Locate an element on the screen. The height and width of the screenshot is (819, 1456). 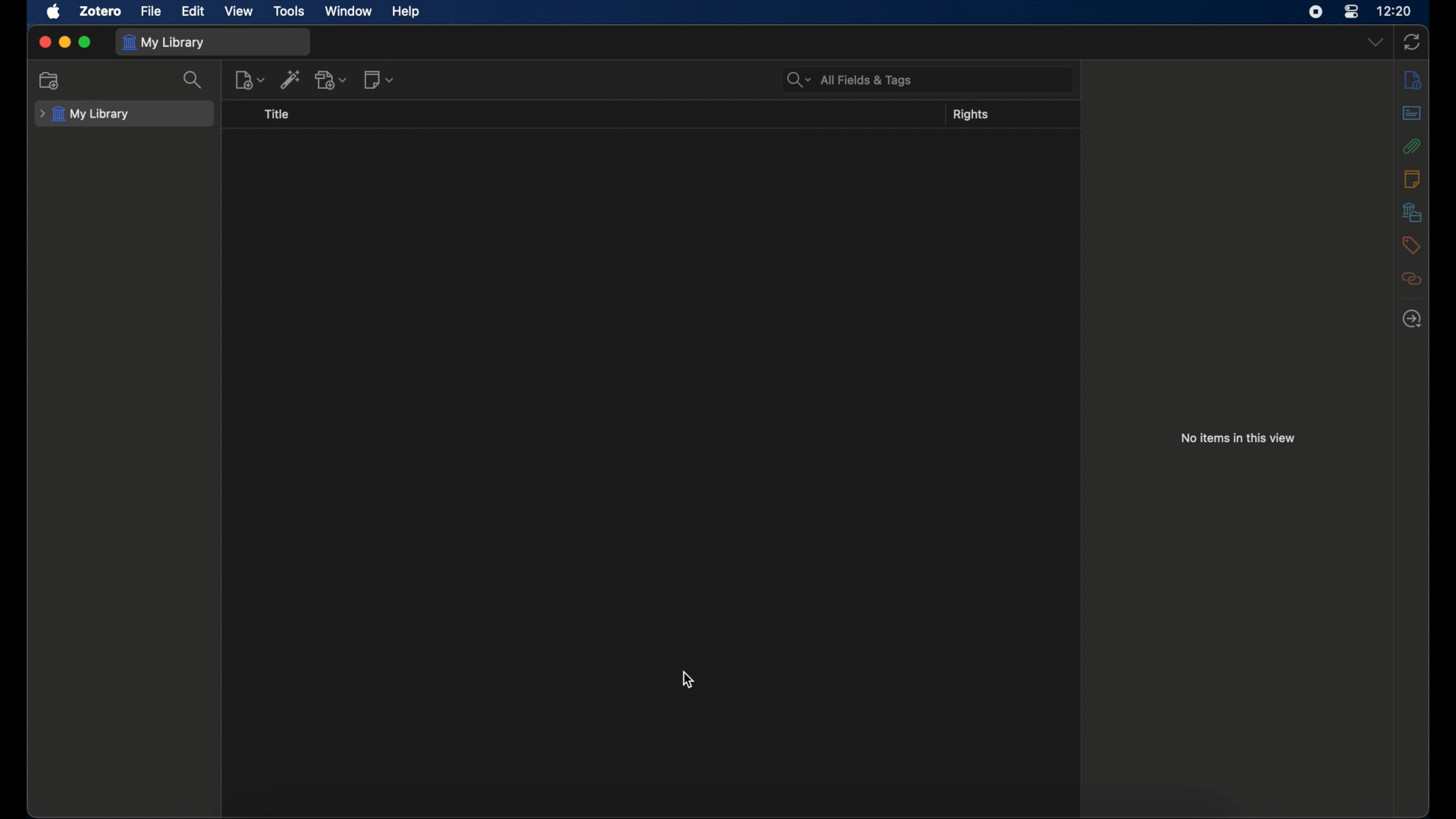
edit is located at coordinates (194, 11).